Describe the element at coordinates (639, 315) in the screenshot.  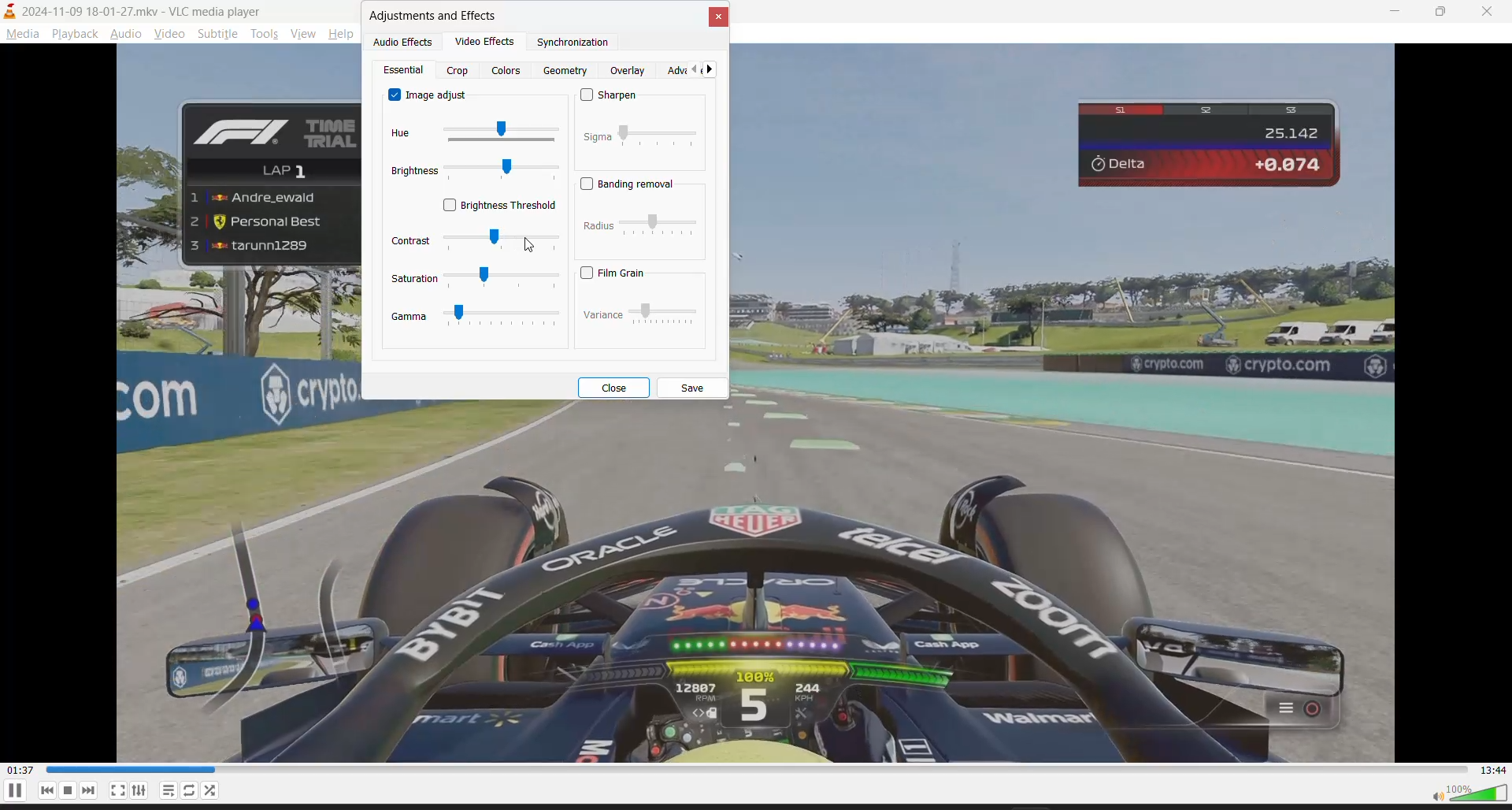
I see `variance` at that location.